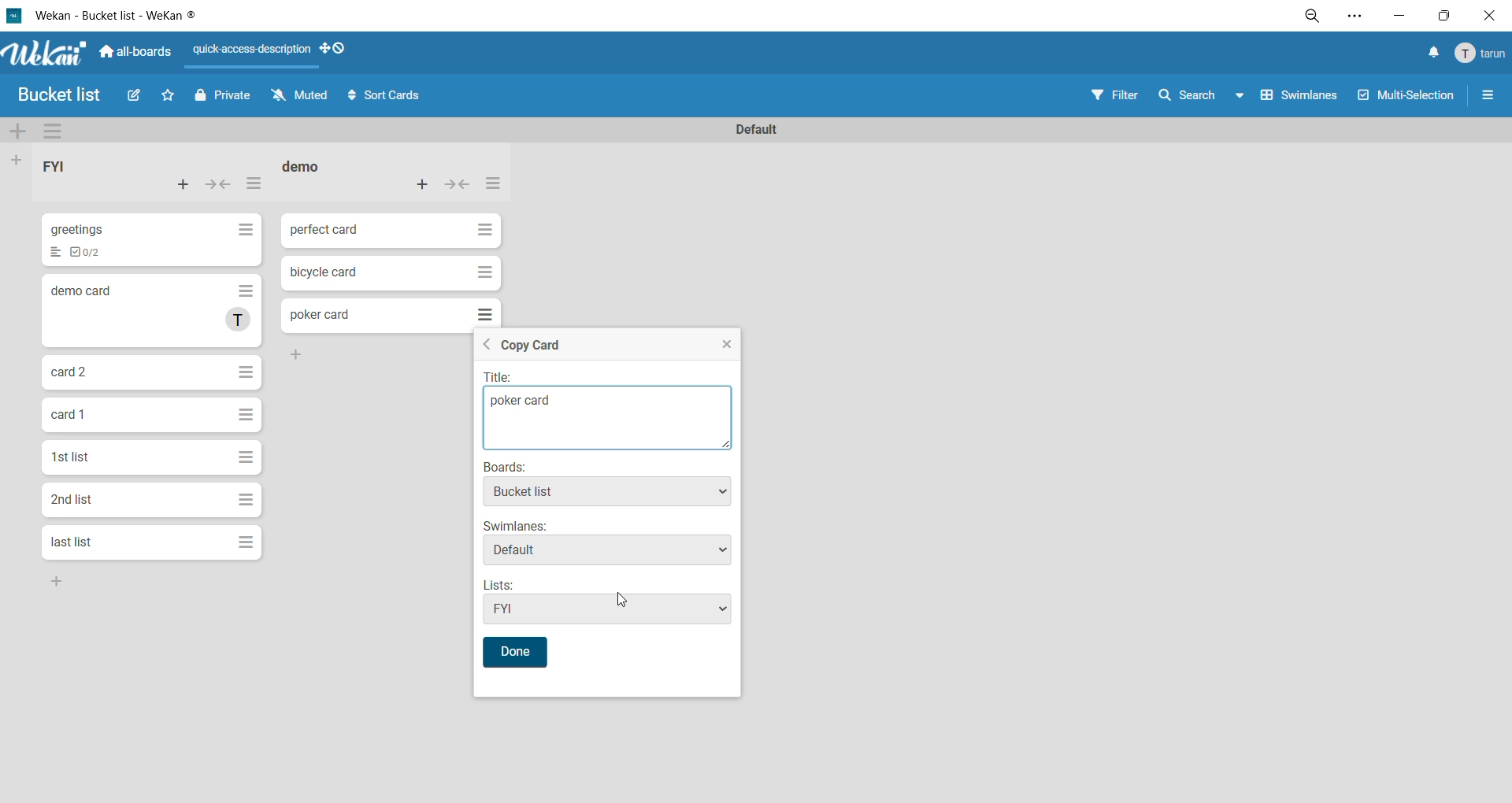  I want to click on add list, so click(20, 160).